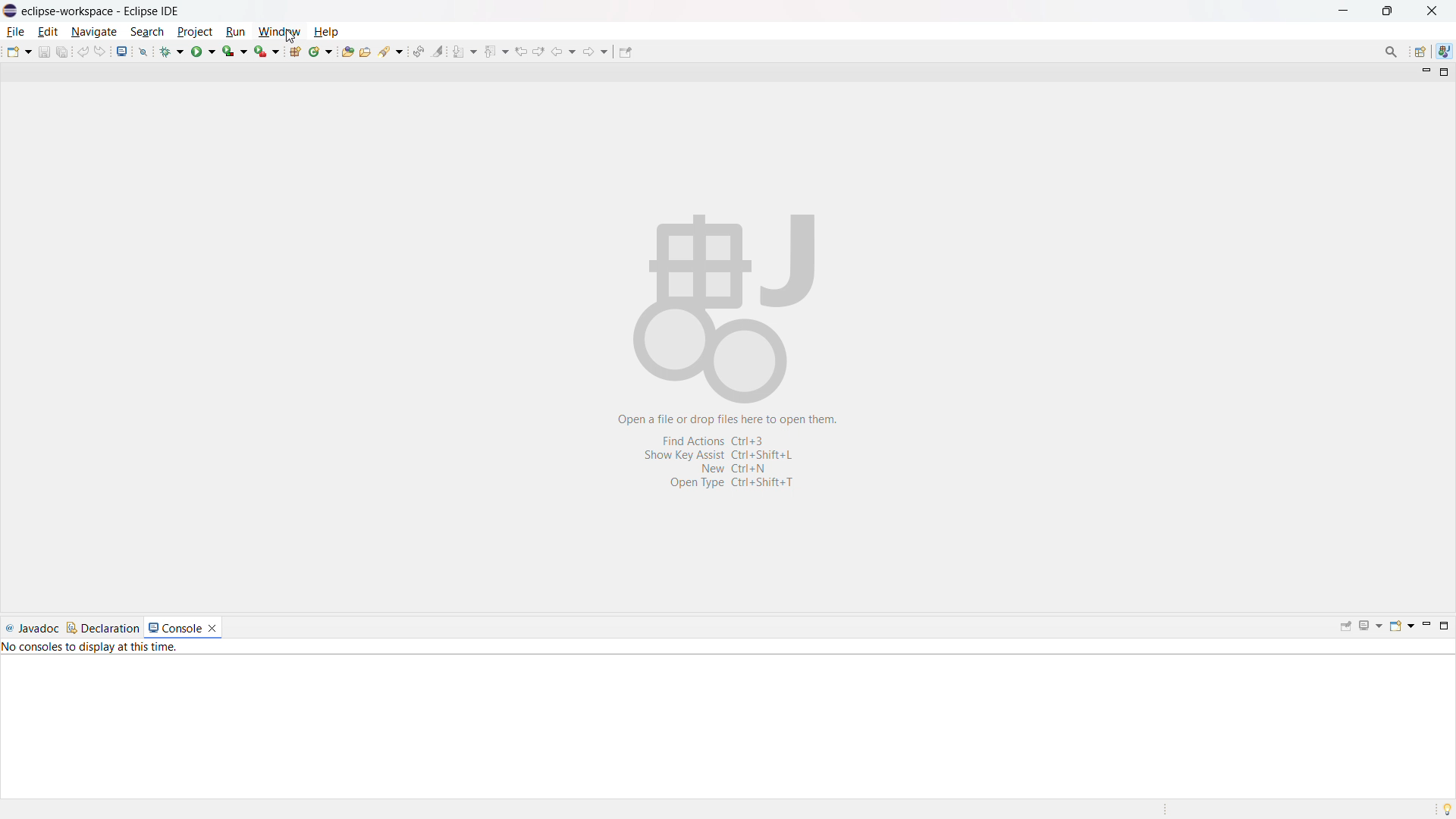 Image resolution: width=1456 pixels, height=819 pixels. What do you see at coordinates (174, 627) in the screenshot?
I see `console` at bounding box center [174, 627].